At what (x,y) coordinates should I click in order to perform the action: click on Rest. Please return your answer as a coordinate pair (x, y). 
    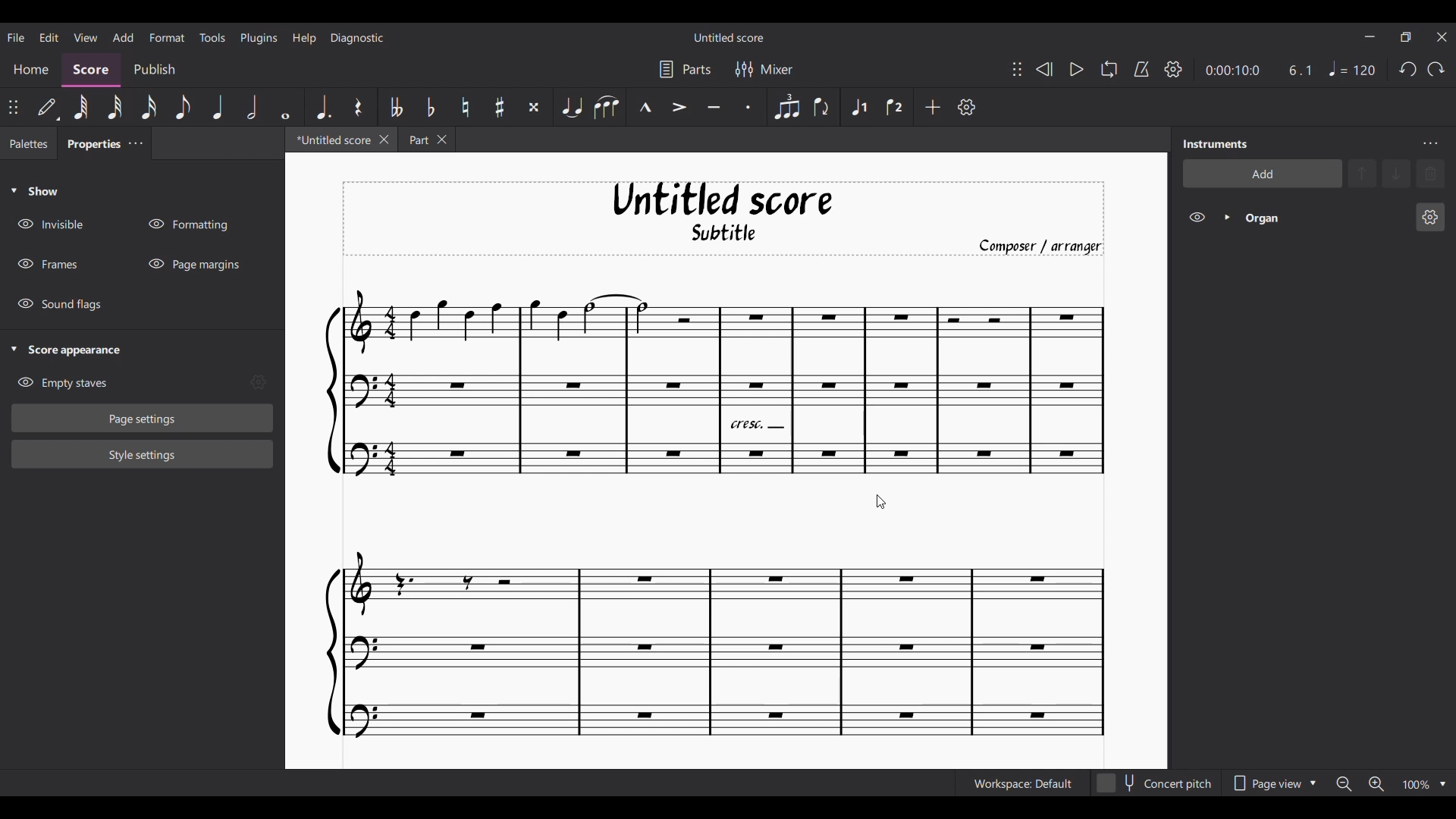
    Looking at the image, I should click on (358, 107).